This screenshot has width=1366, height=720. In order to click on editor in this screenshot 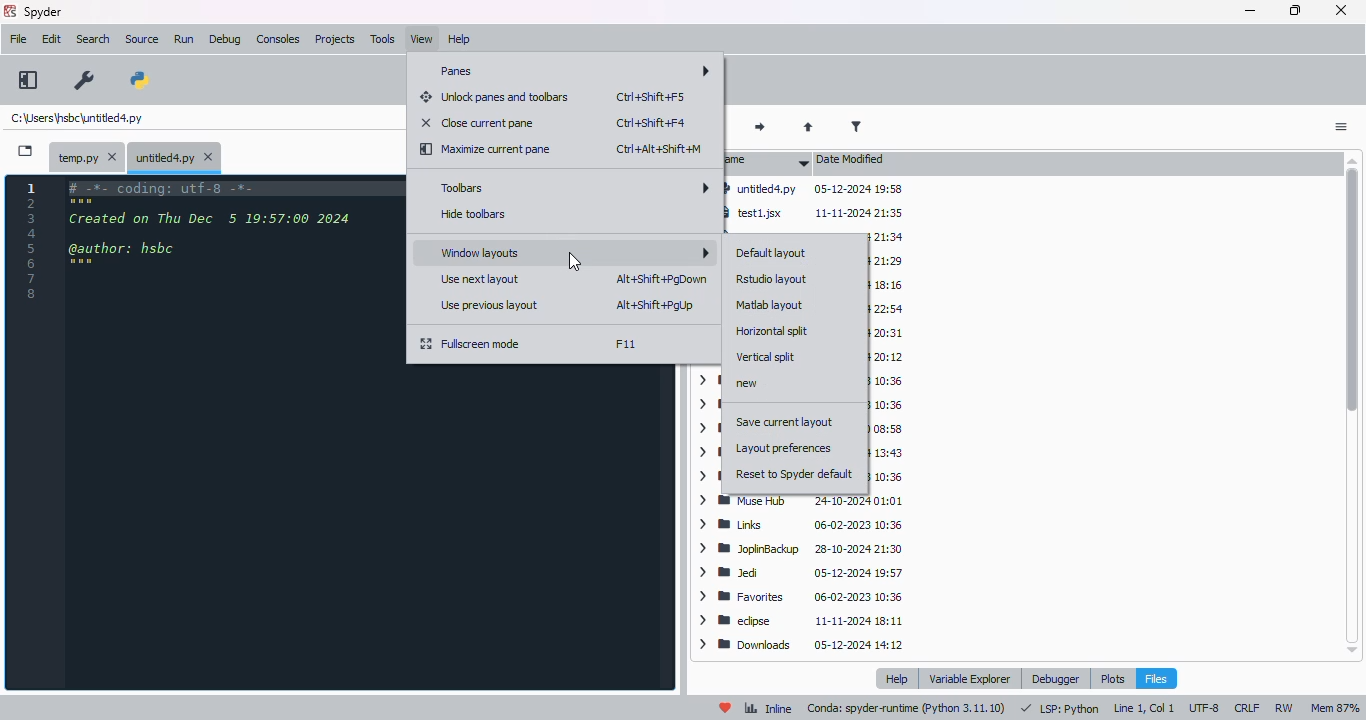, I will do `click(230, 431)`.